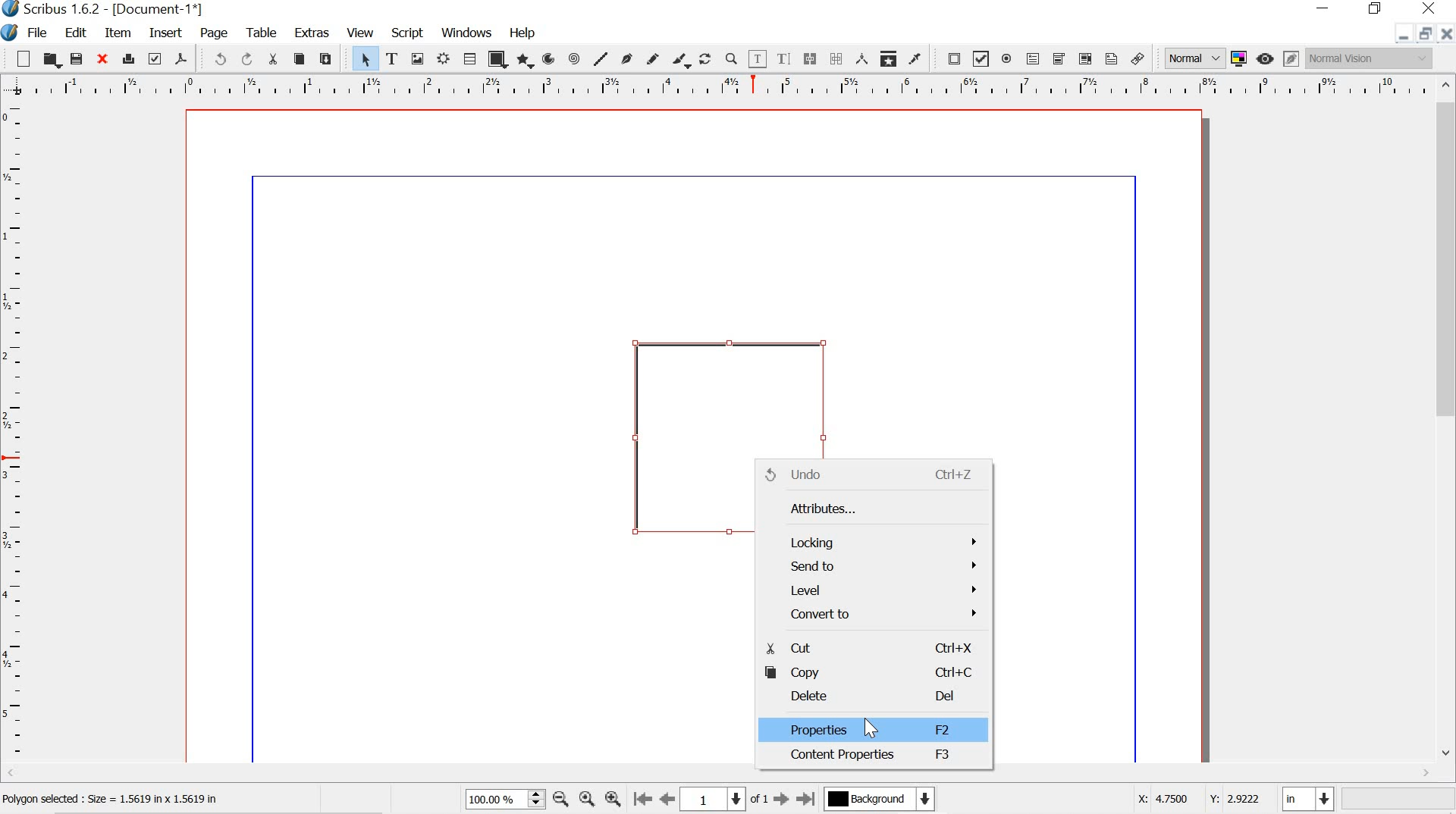 The width and height of the screenshot is (1456, 814). What do you see at coordinates (468, 33) in the screenshot?
I see `windows` at bounding box center [468, 33].